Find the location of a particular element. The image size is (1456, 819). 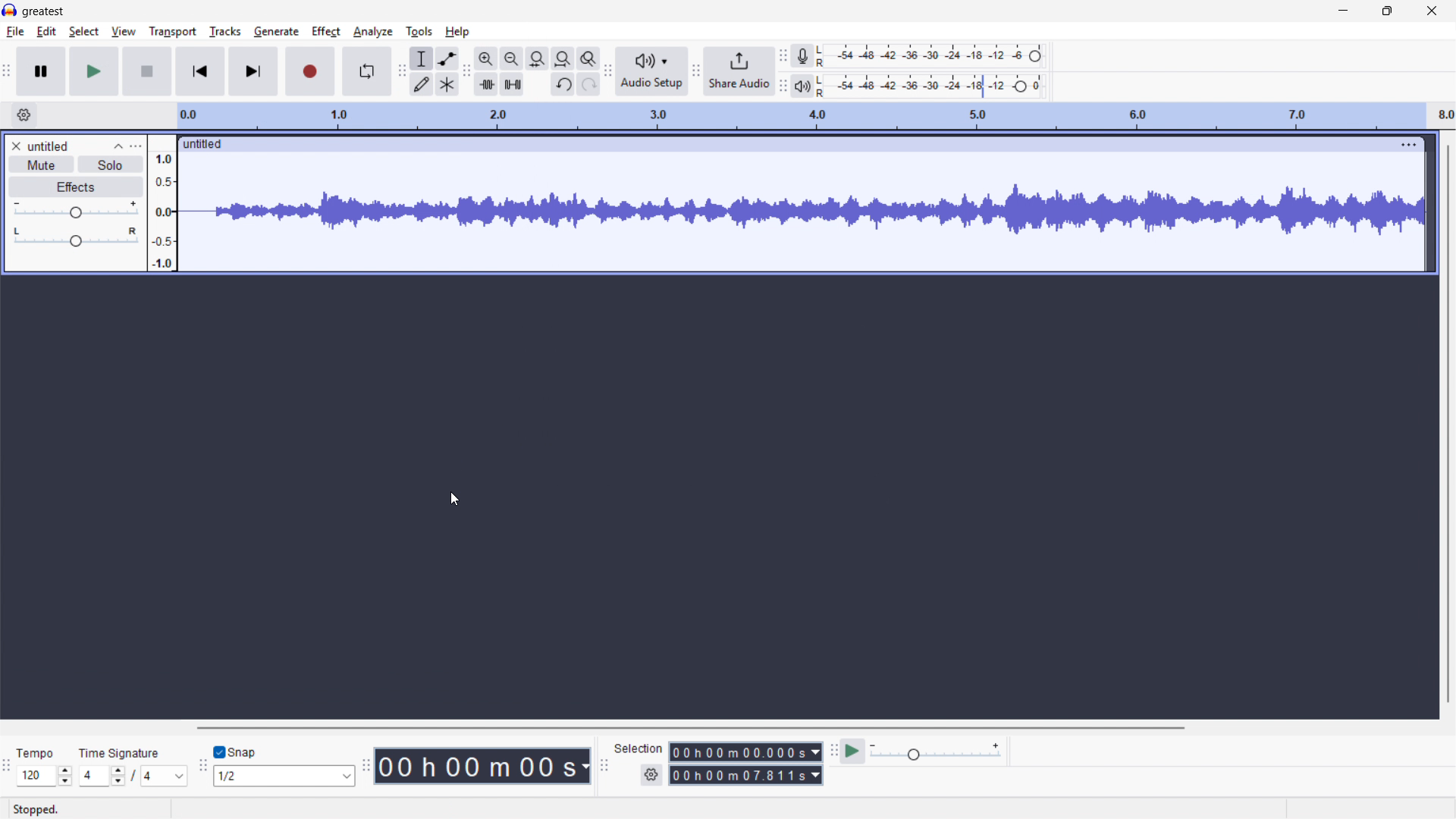

track control panel menu is located at coordinates (136, 146).